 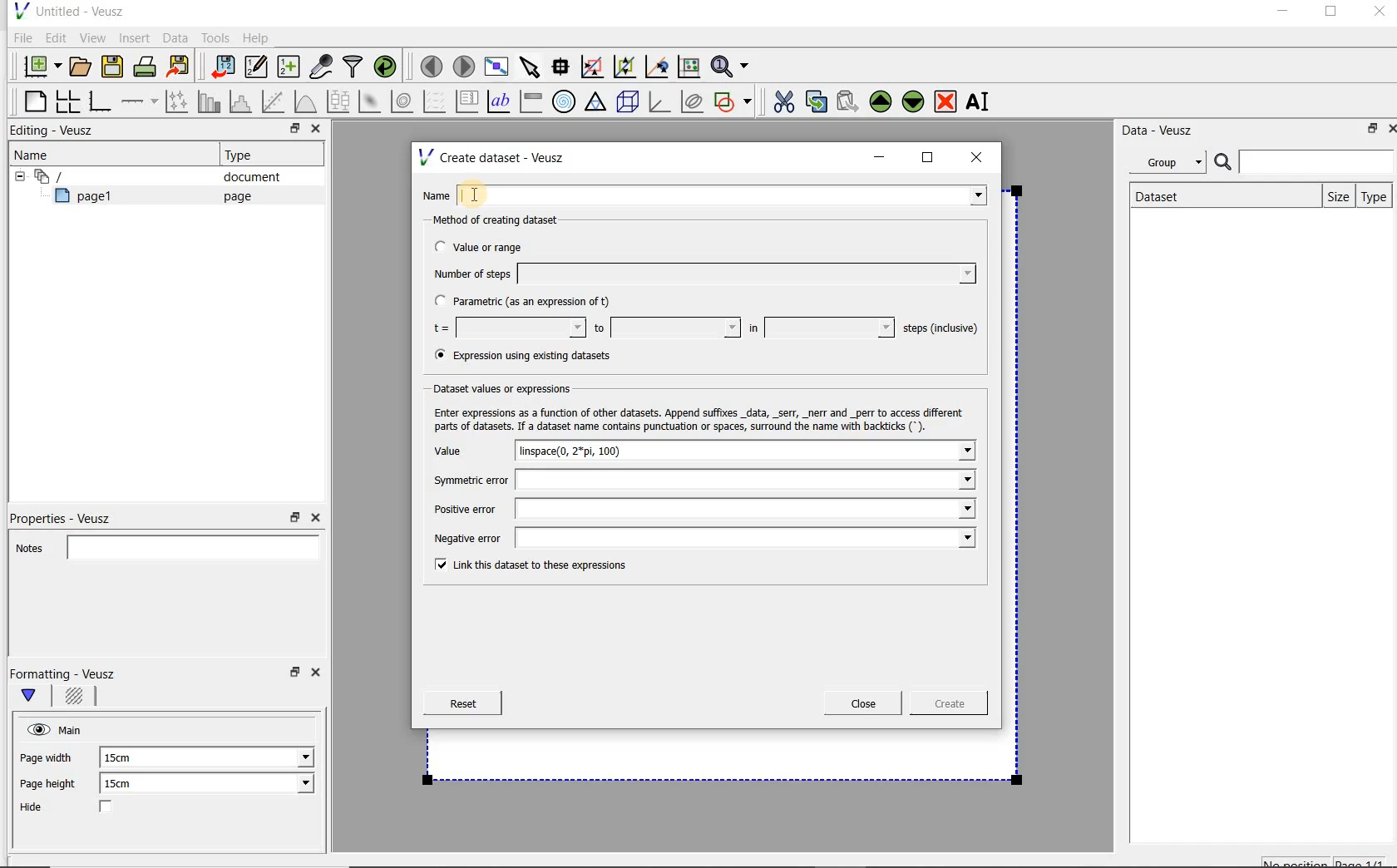 What do you see at coordinates (69, 515) in the screenshot?
I see `Properties - Veusz` at bounding box center [69, 515].